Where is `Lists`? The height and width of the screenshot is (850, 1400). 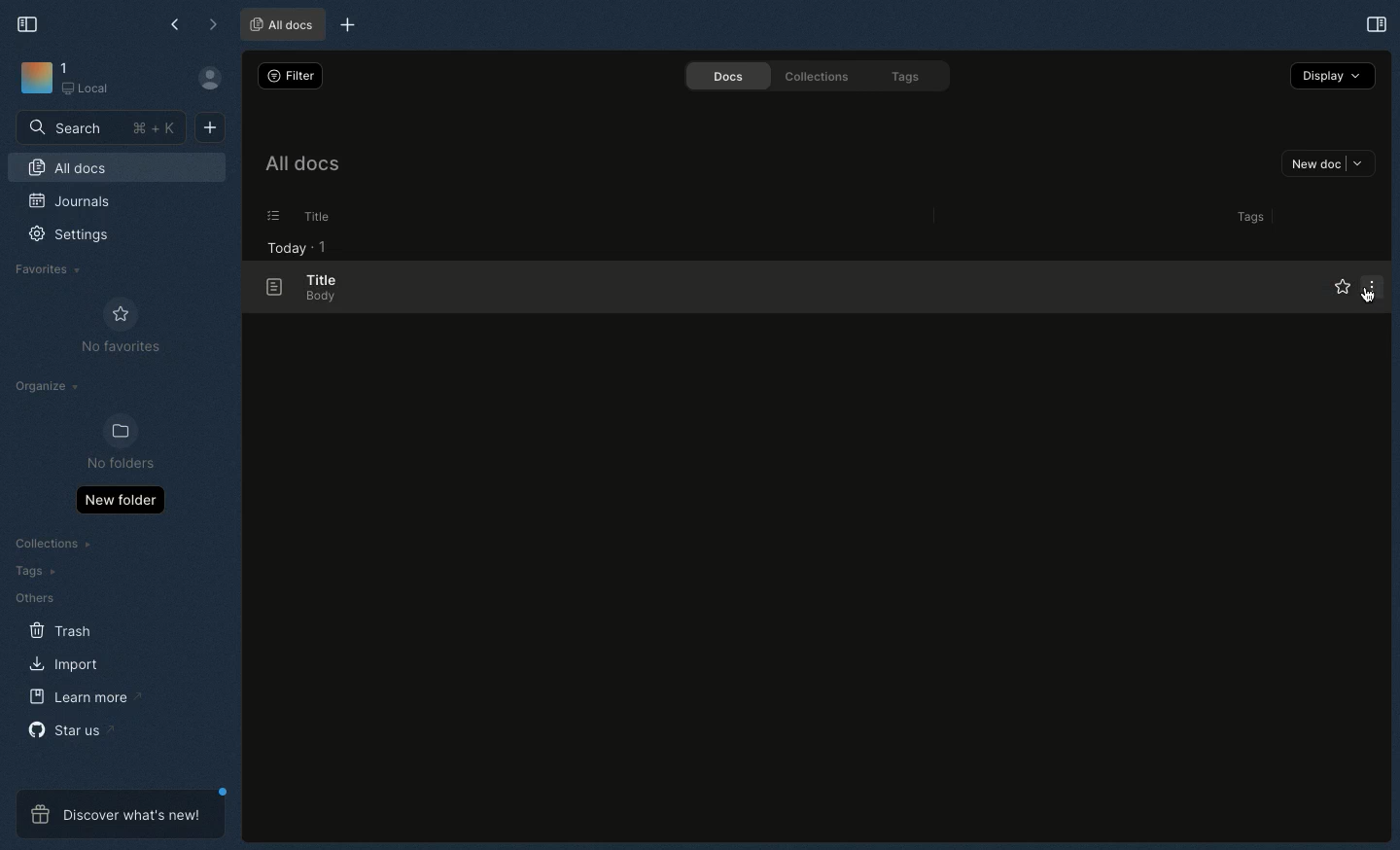 Lists is located at coordinates (267, 216).